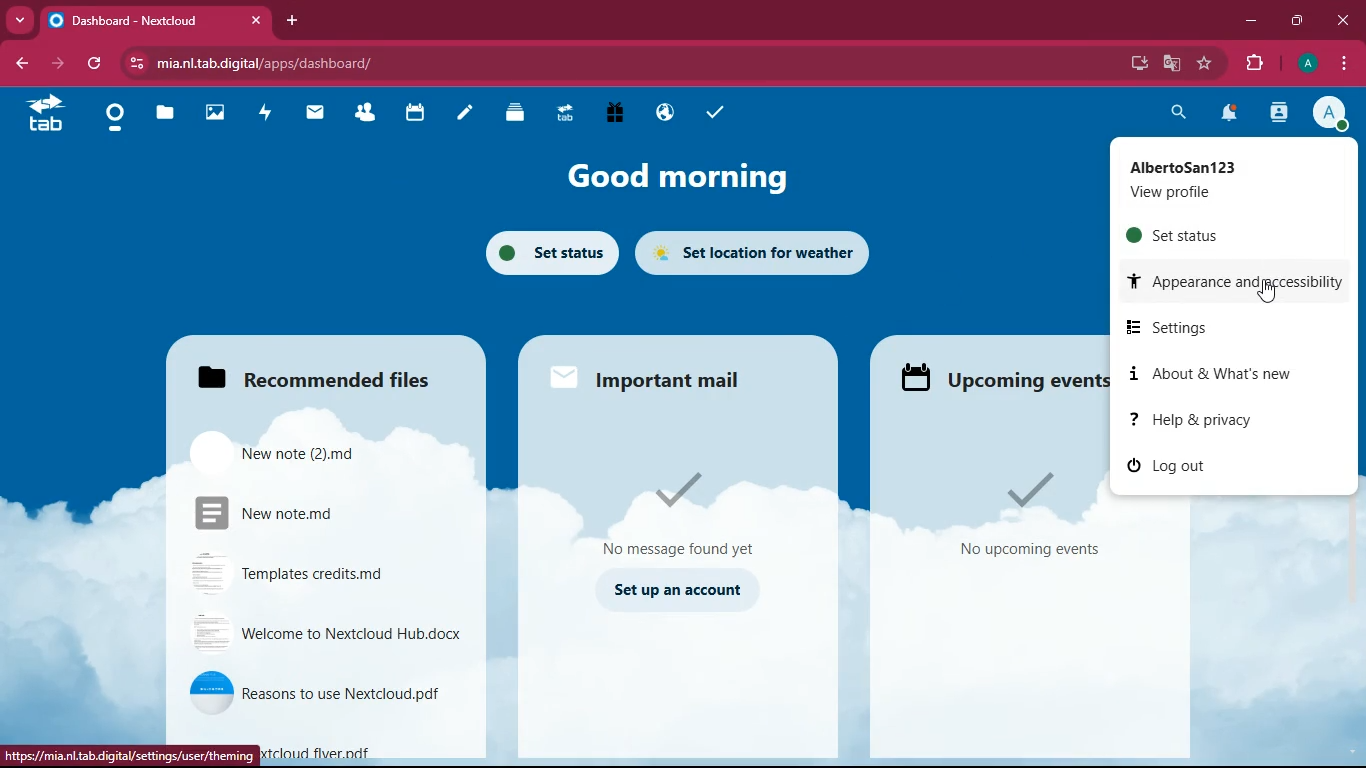 The width and height of the screenshot is (1366, 768). I want to click on images, so click(219, 111).